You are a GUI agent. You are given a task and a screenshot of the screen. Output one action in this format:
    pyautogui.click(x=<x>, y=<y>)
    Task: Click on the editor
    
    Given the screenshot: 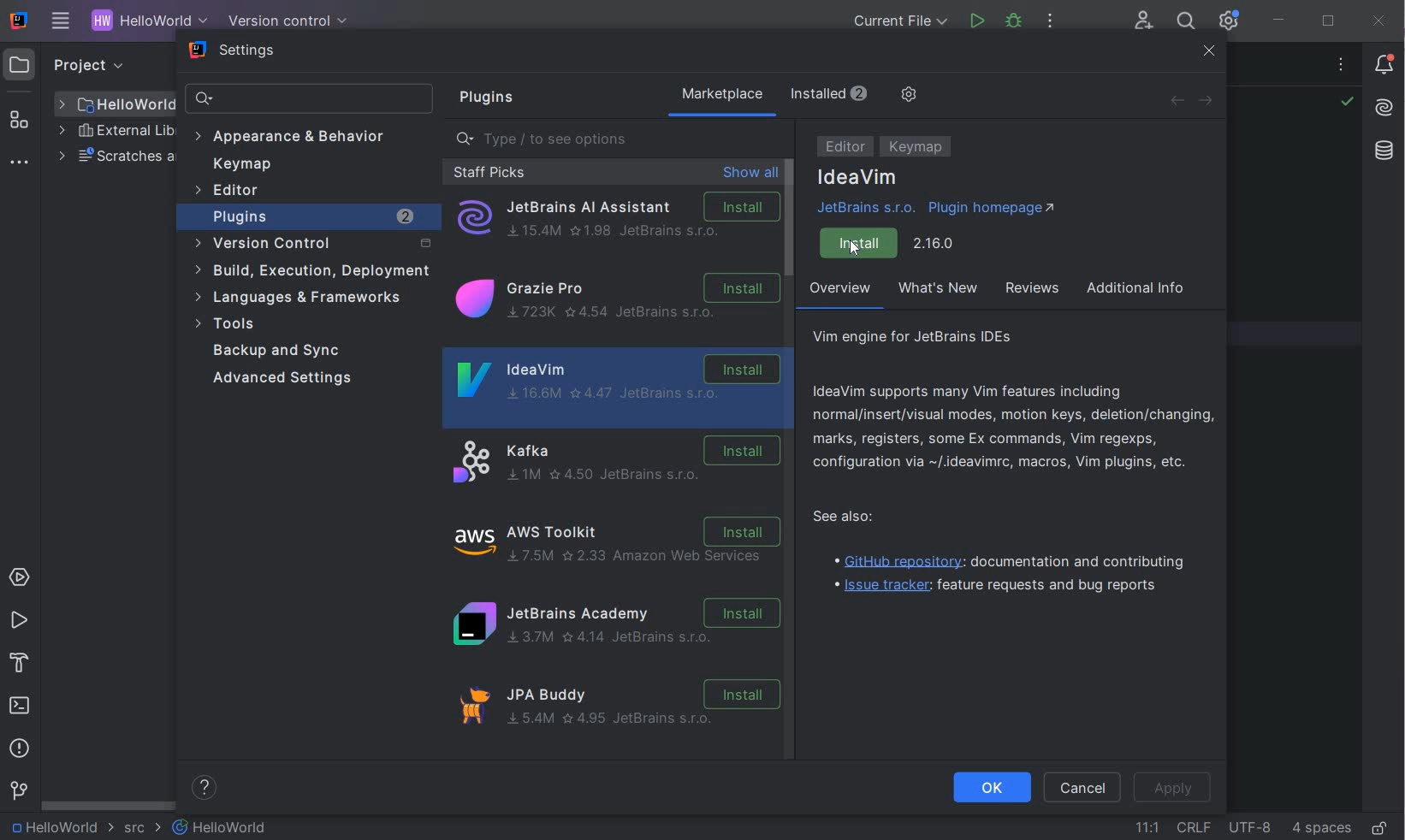 What is the action you would take?
    pyautogui.click(x=230, y=192)
    